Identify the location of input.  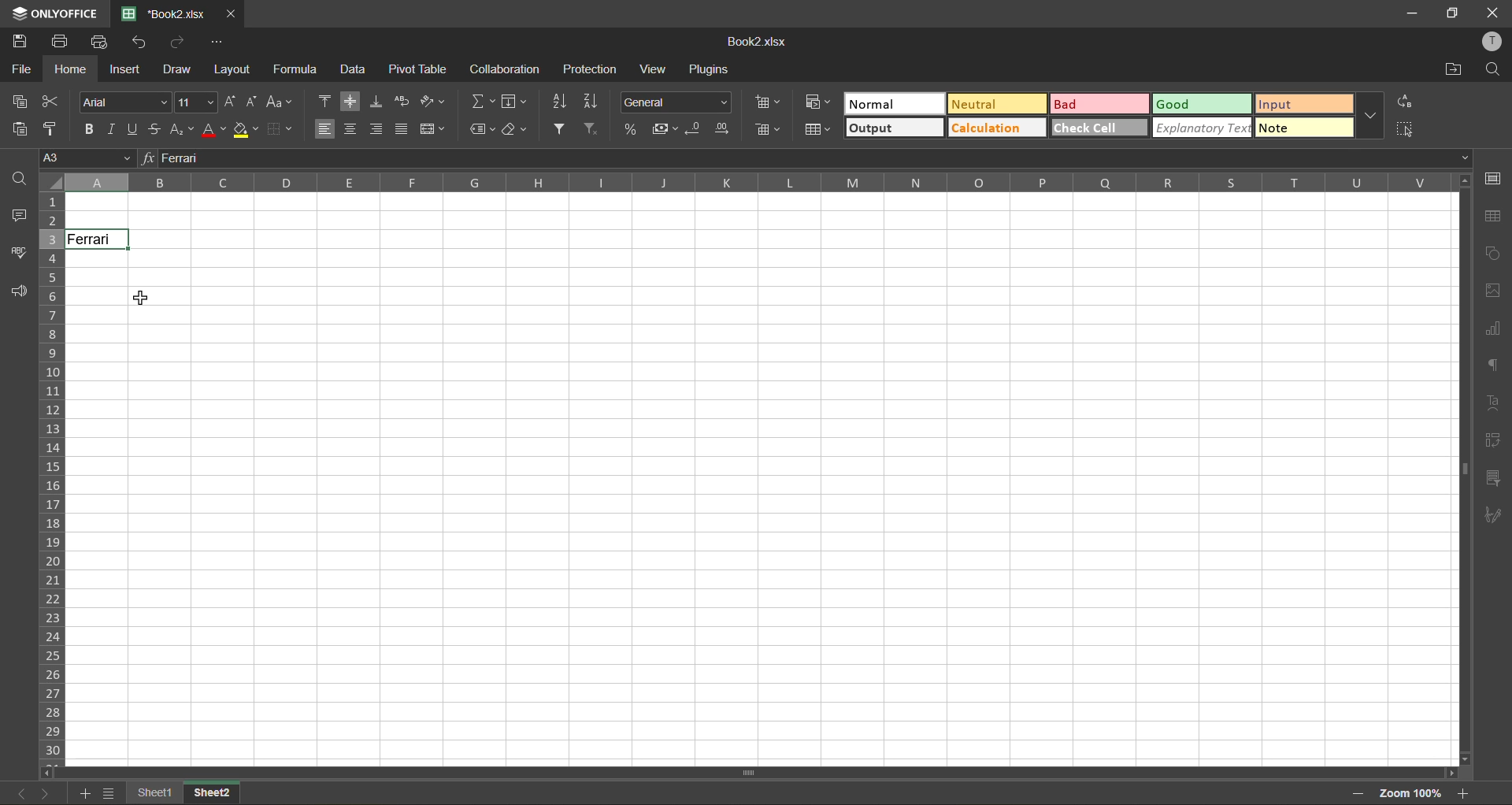
(1305, 104).